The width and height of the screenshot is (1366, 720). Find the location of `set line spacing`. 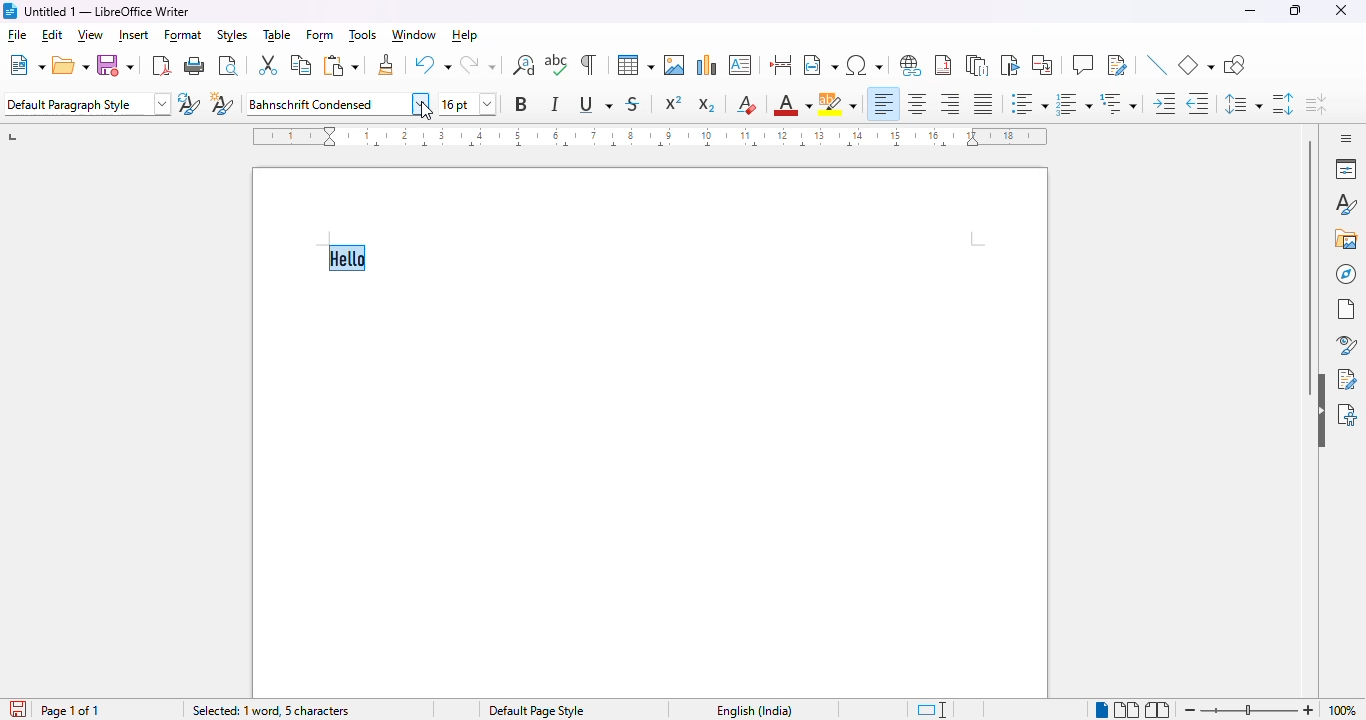

set line spacing is located at coordinates (1243, 102).